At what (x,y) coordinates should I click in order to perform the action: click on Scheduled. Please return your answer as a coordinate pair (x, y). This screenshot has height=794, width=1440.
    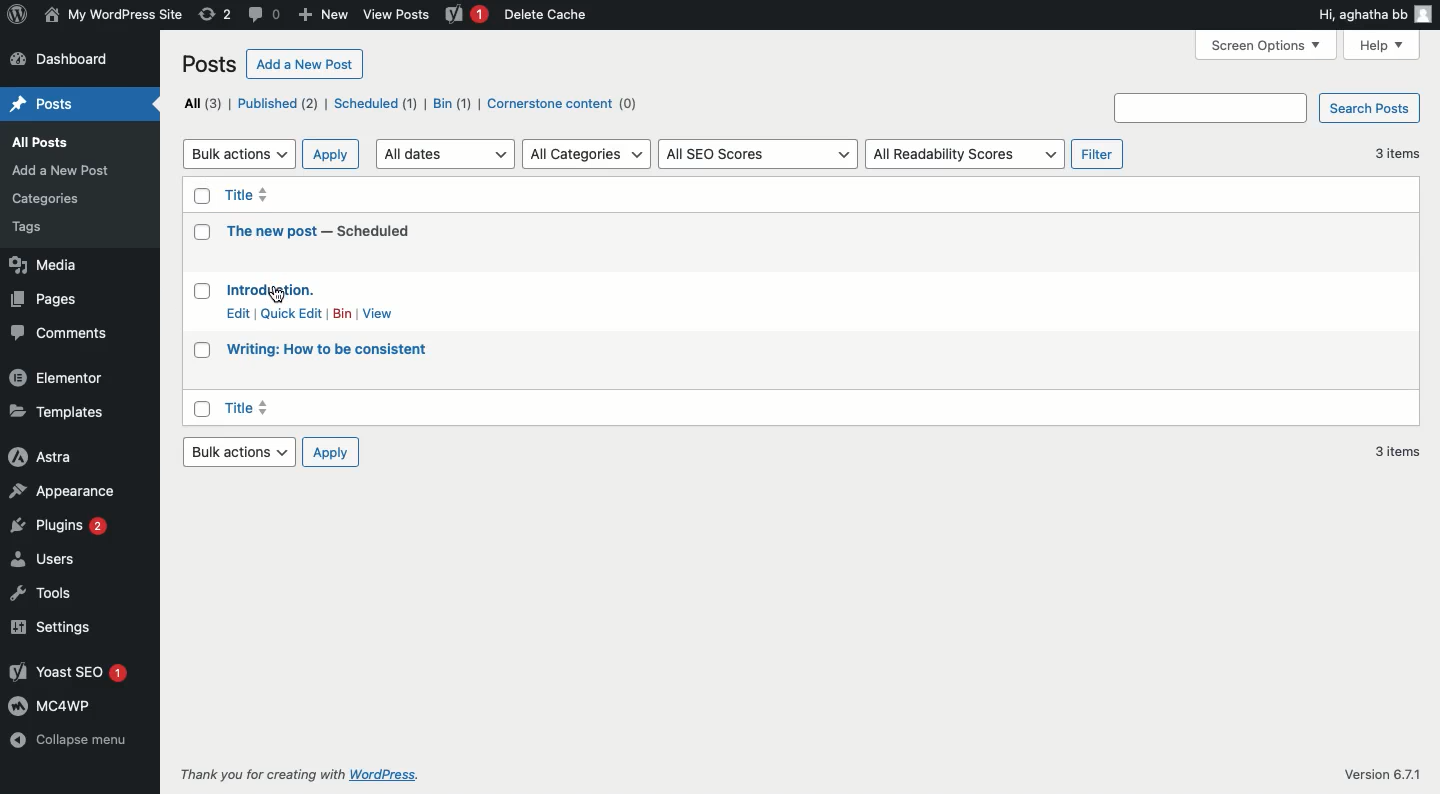
    Looking at the image, I should click on (373, 104).